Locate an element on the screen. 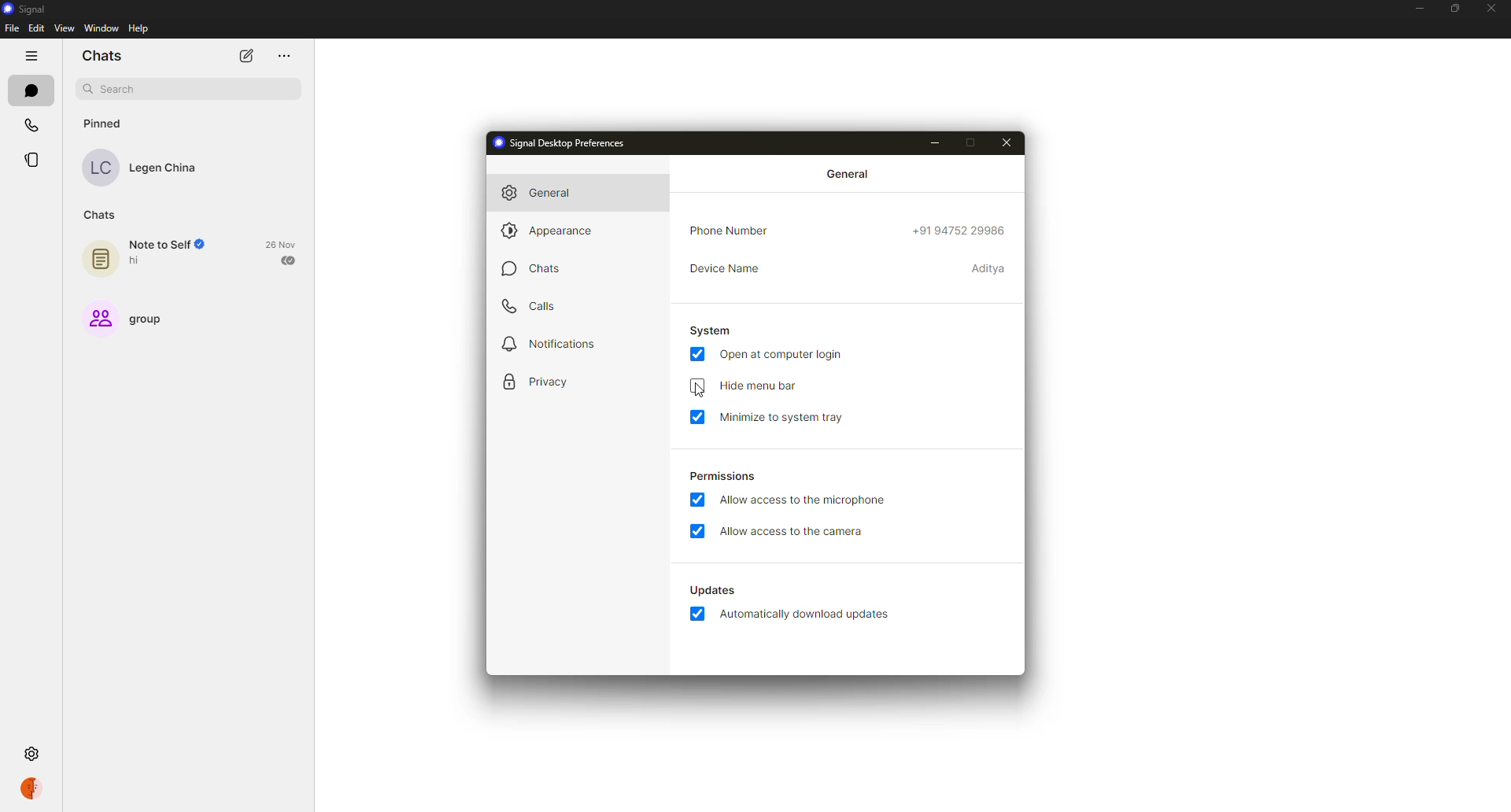 Image resolution: width=1511 pixels, height=812 pixels. contact is located at coordinates (139, 168).